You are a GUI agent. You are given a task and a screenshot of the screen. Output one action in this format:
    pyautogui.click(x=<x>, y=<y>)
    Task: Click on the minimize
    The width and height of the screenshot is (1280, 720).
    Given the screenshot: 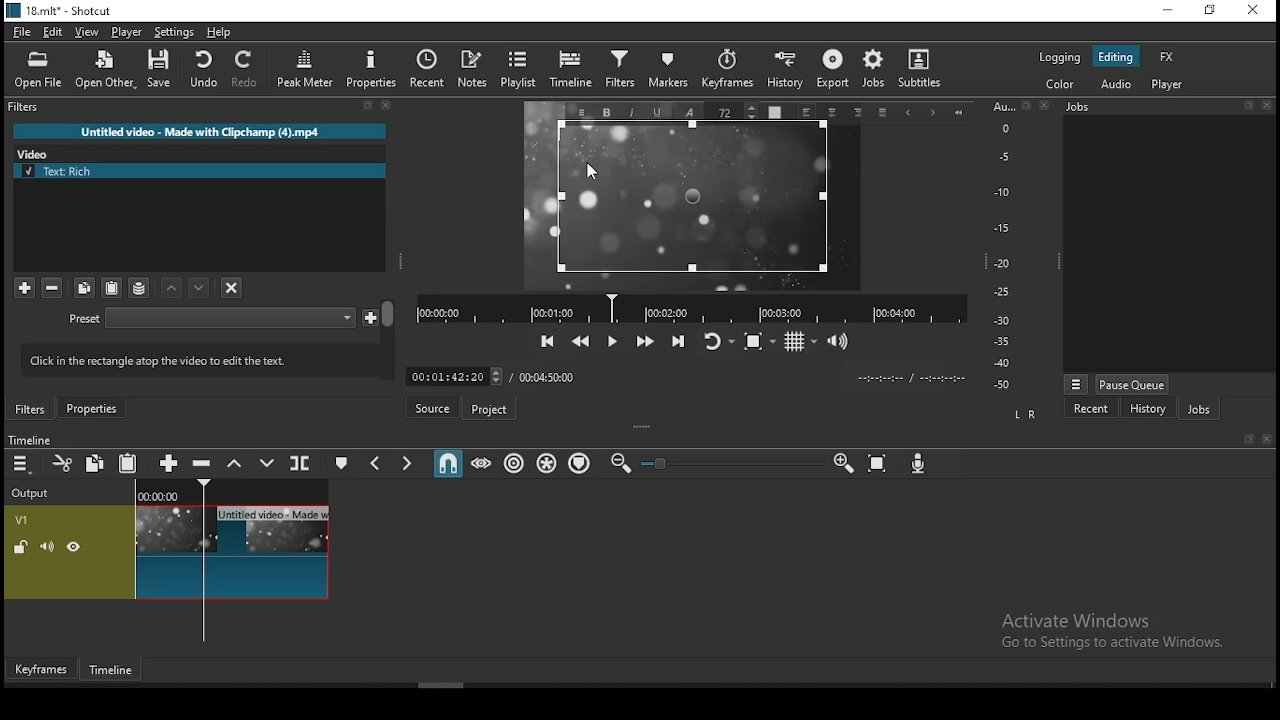 What is the action you would take?
    pyautogui.click(x=1171, y=9)
    